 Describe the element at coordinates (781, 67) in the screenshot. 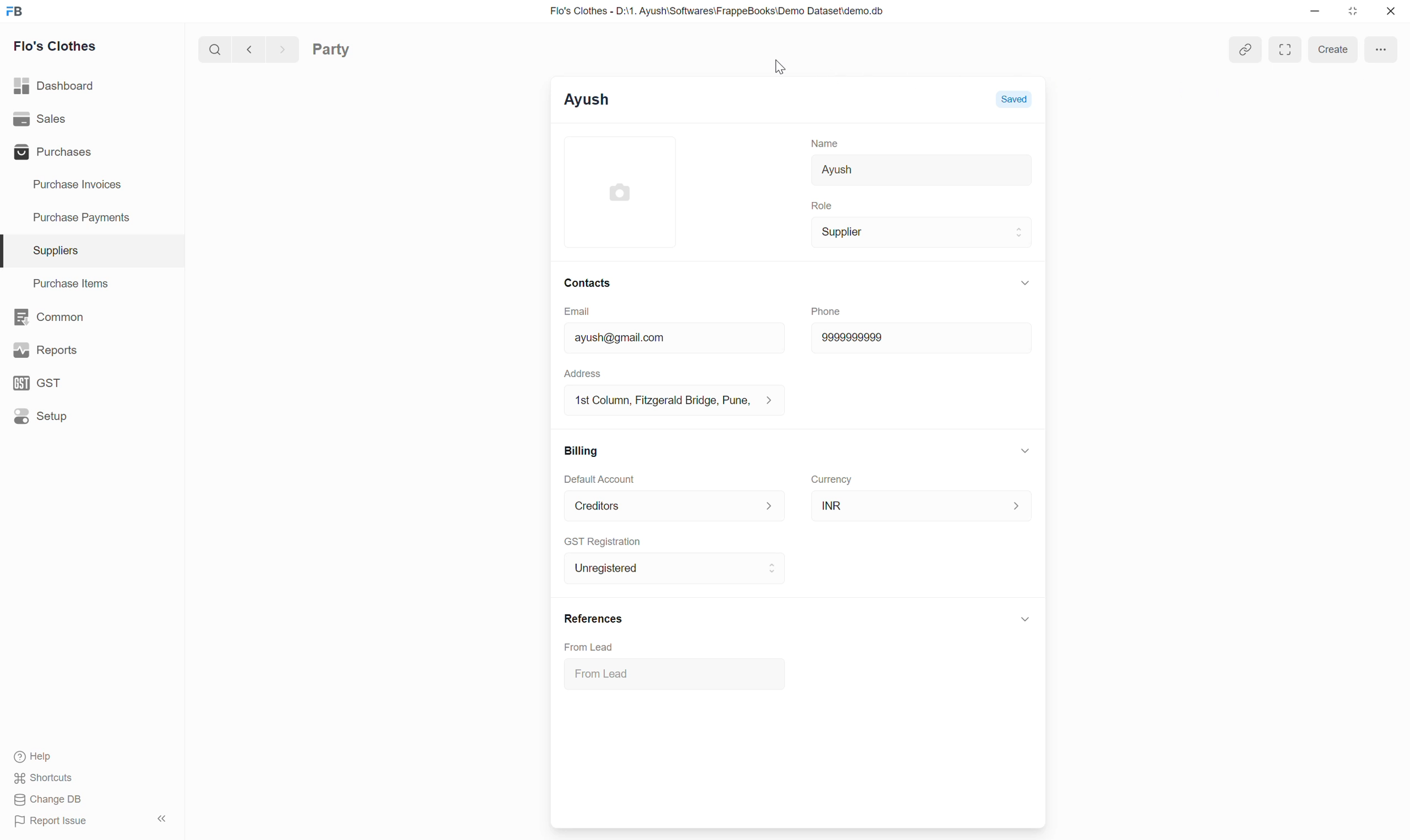

I see `Cursor` at that location.